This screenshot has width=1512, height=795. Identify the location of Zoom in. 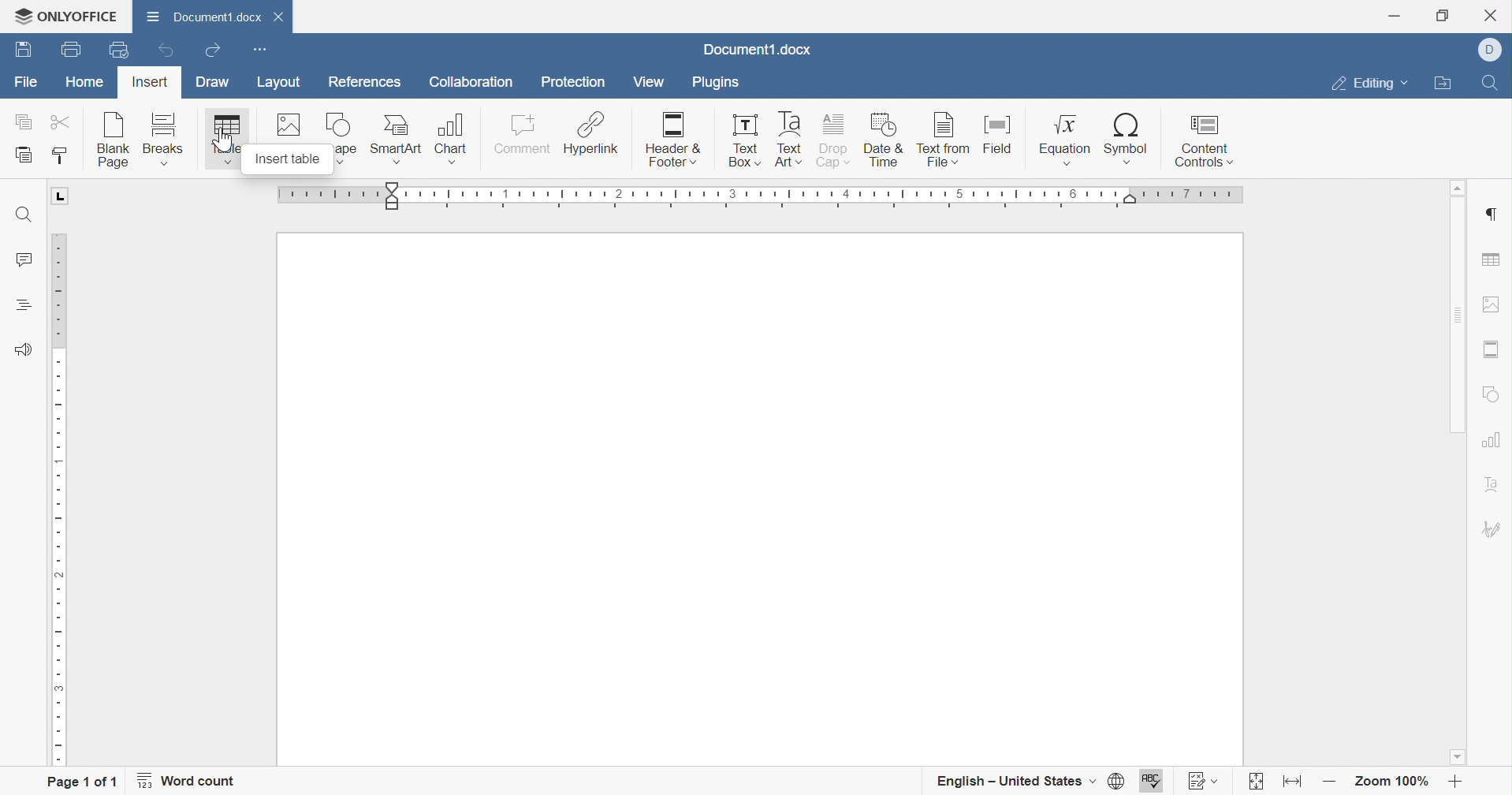
(1455, 782).